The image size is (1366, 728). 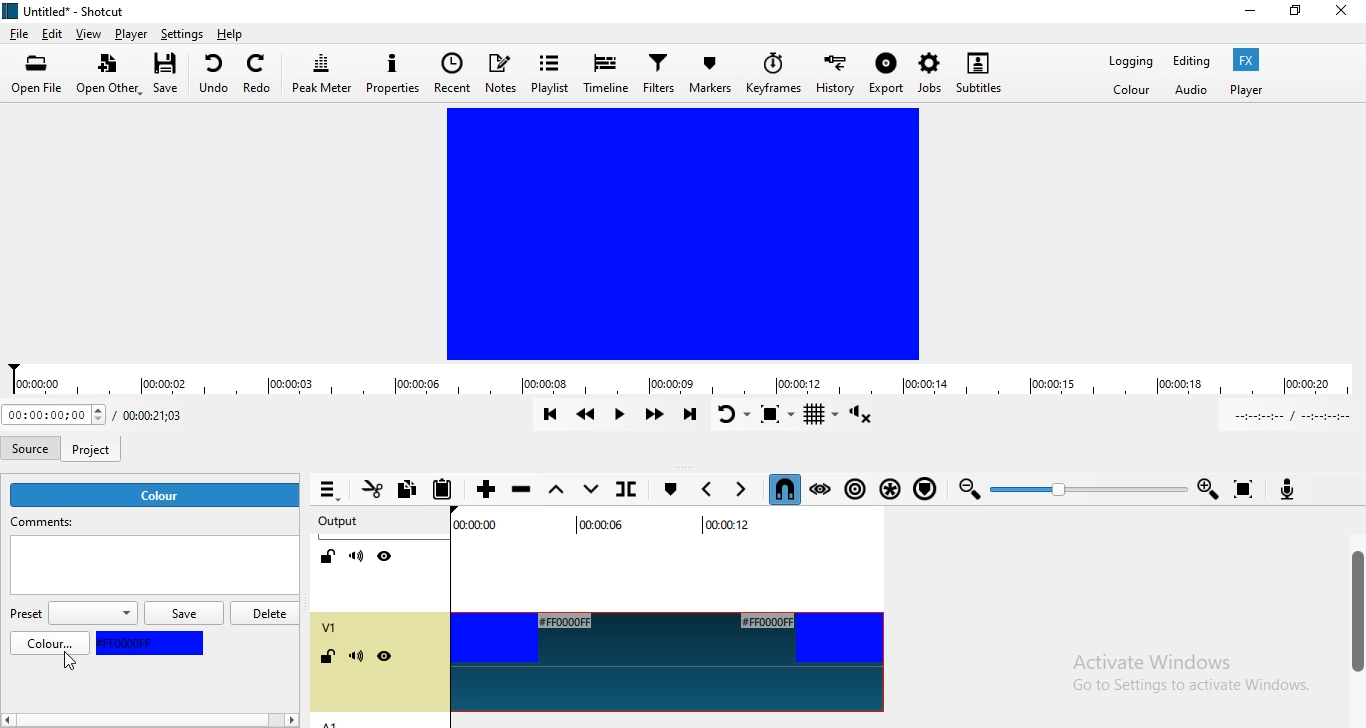 I want to click on Markers, so click(x=712, y=74).